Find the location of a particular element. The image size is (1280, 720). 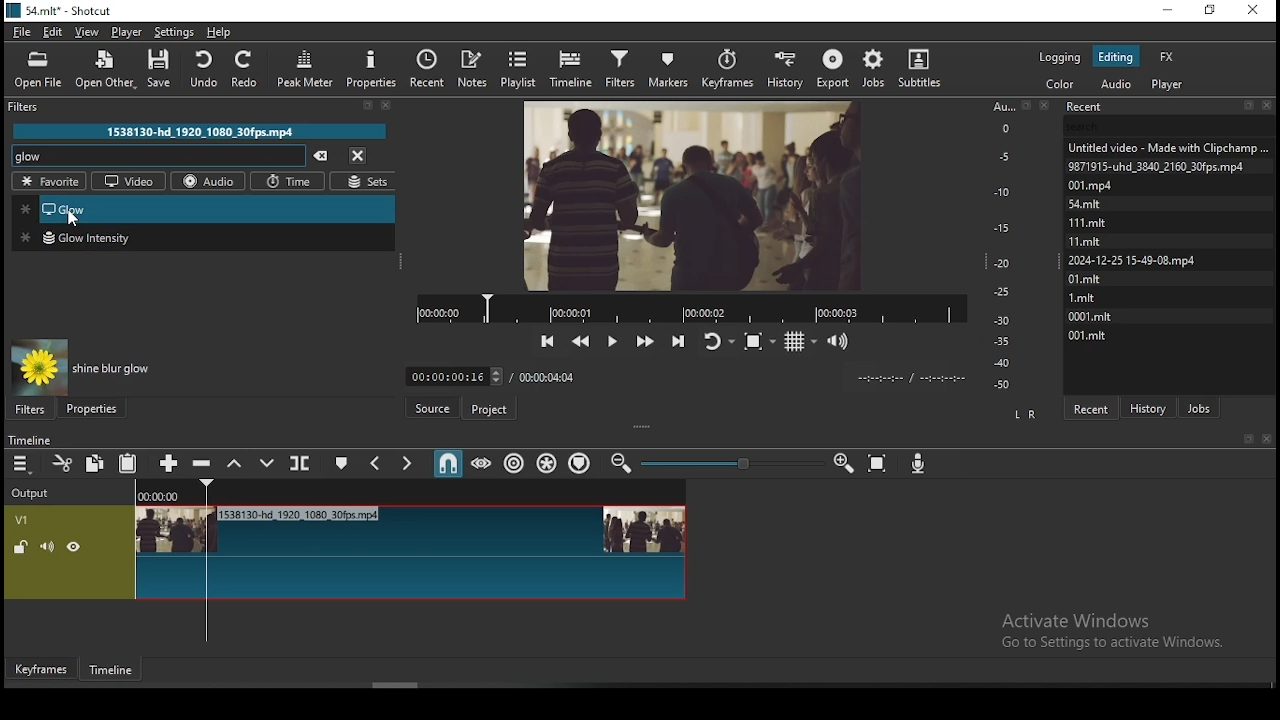

skip to the previous point is located at coordinates (548, 342).